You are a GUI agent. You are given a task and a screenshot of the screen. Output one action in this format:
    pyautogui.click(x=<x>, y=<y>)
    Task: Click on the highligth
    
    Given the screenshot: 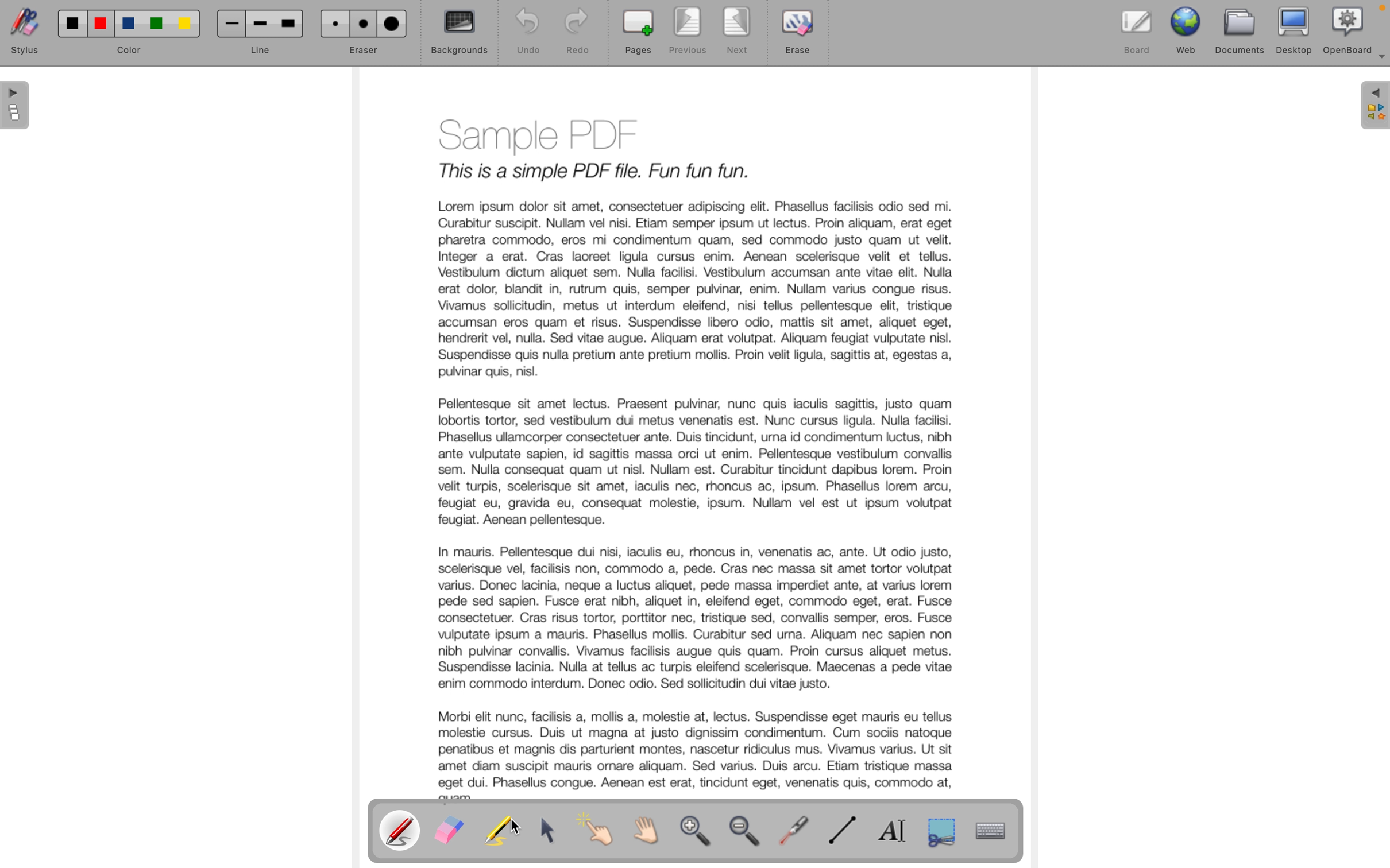 What is the action you would take?
    pyautogui.click(x=501, y=832)
    